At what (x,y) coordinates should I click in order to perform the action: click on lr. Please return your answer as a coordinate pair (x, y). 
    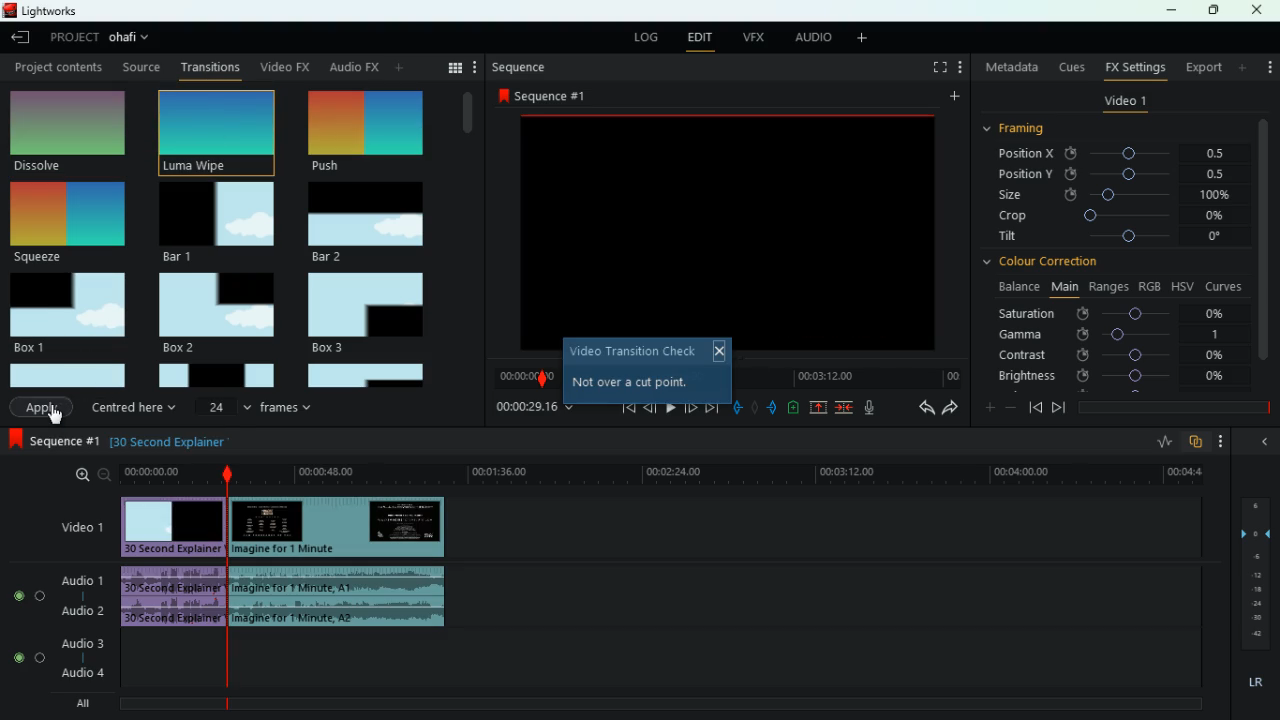
    Looking at the image, I should click on (1254, 683).